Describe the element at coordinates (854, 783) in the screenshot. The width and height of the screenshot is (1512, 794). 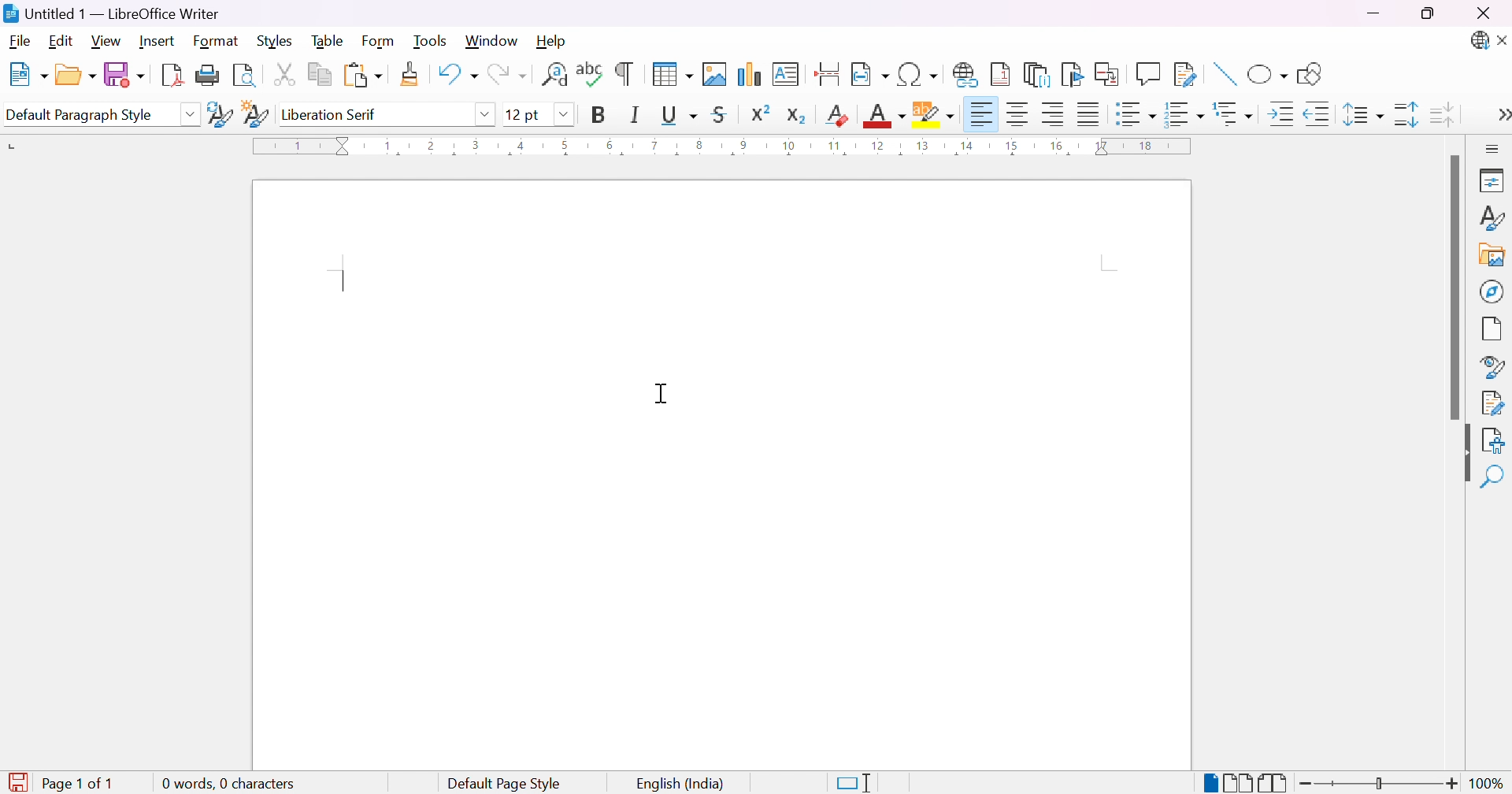
I see `Standard selection. Click to change selection mode.` at that location.